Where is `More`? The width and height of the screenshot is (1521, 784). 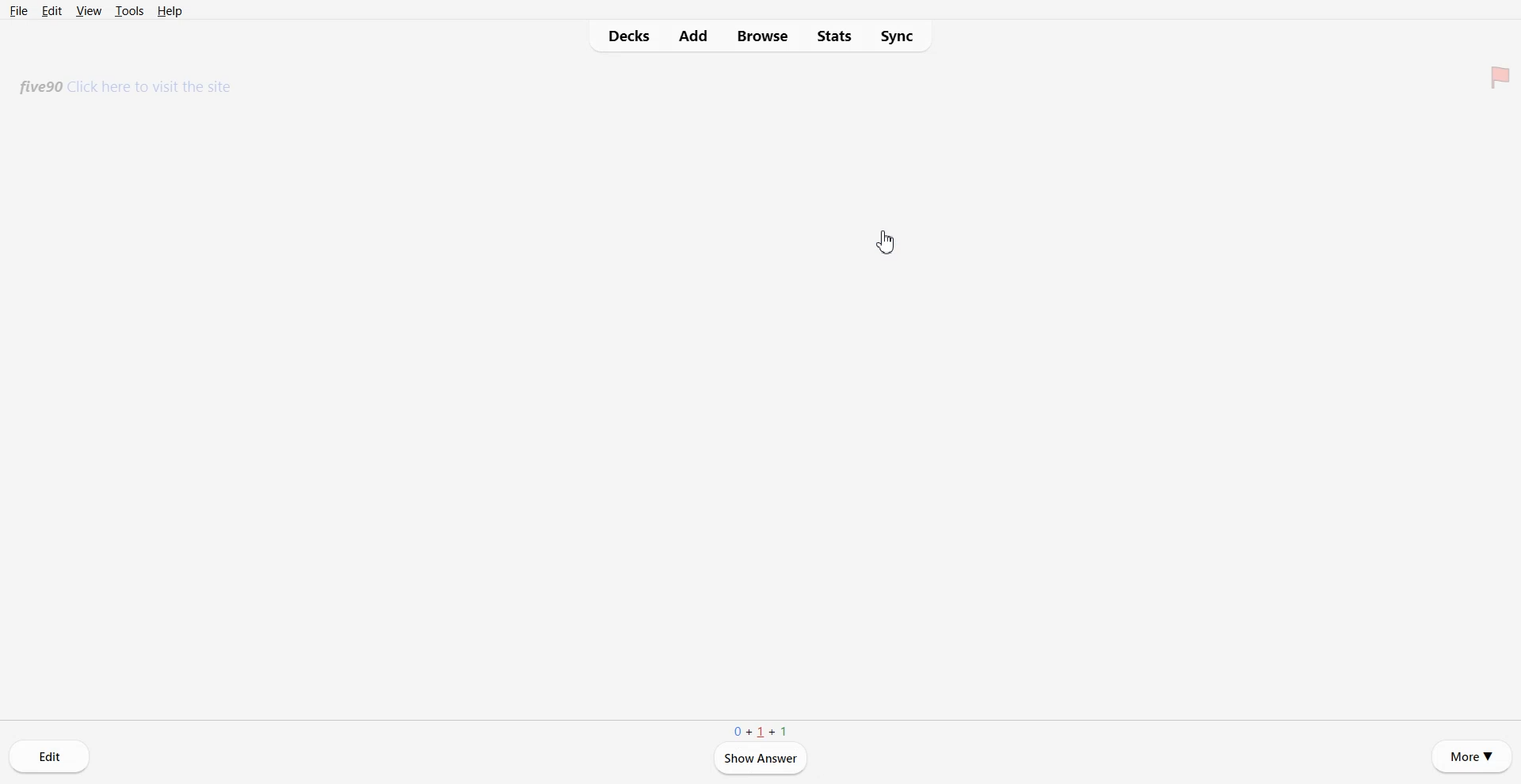 More is located at coordinates (1472, 756).